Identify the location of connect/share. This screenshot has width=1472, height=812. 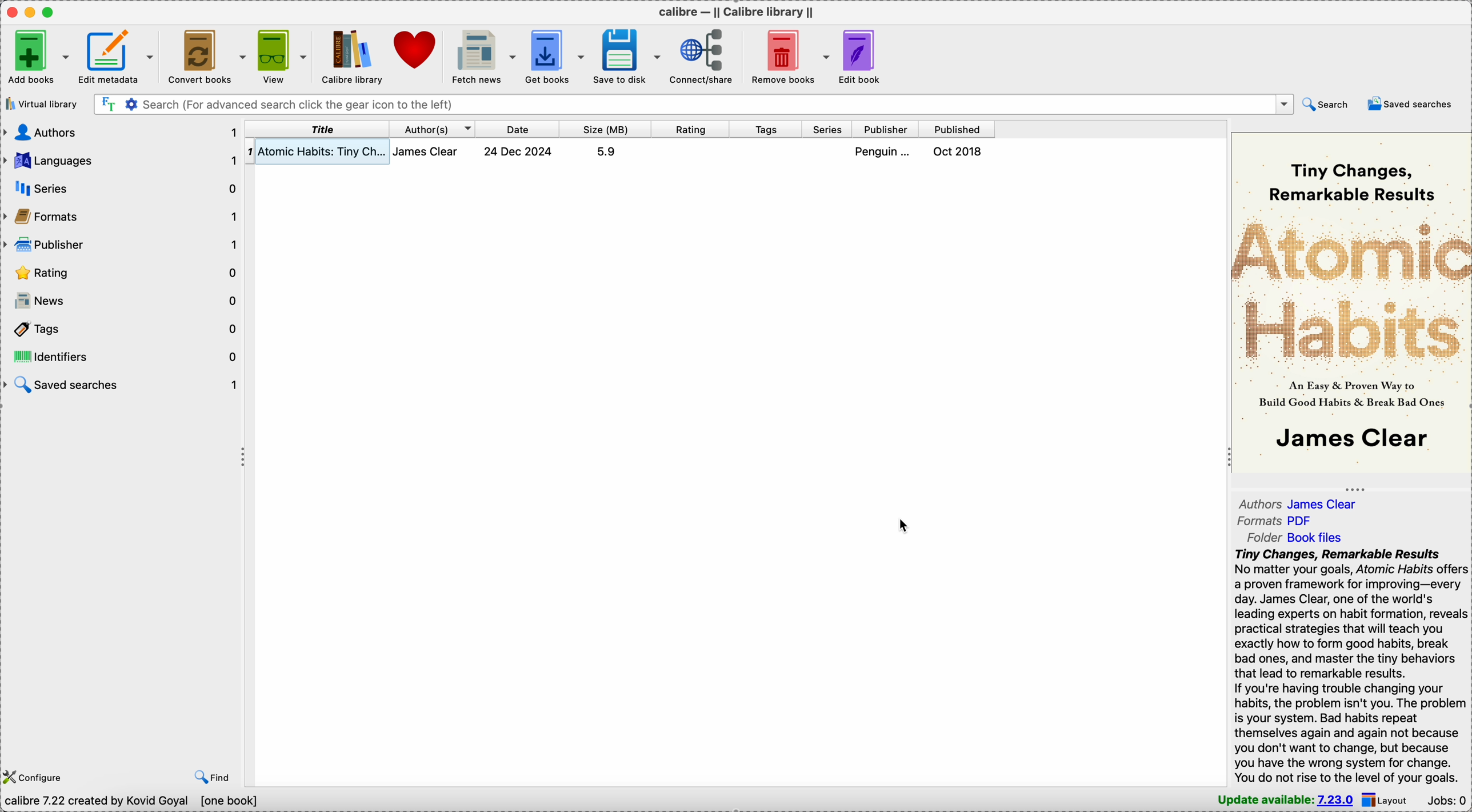
(706, 55).